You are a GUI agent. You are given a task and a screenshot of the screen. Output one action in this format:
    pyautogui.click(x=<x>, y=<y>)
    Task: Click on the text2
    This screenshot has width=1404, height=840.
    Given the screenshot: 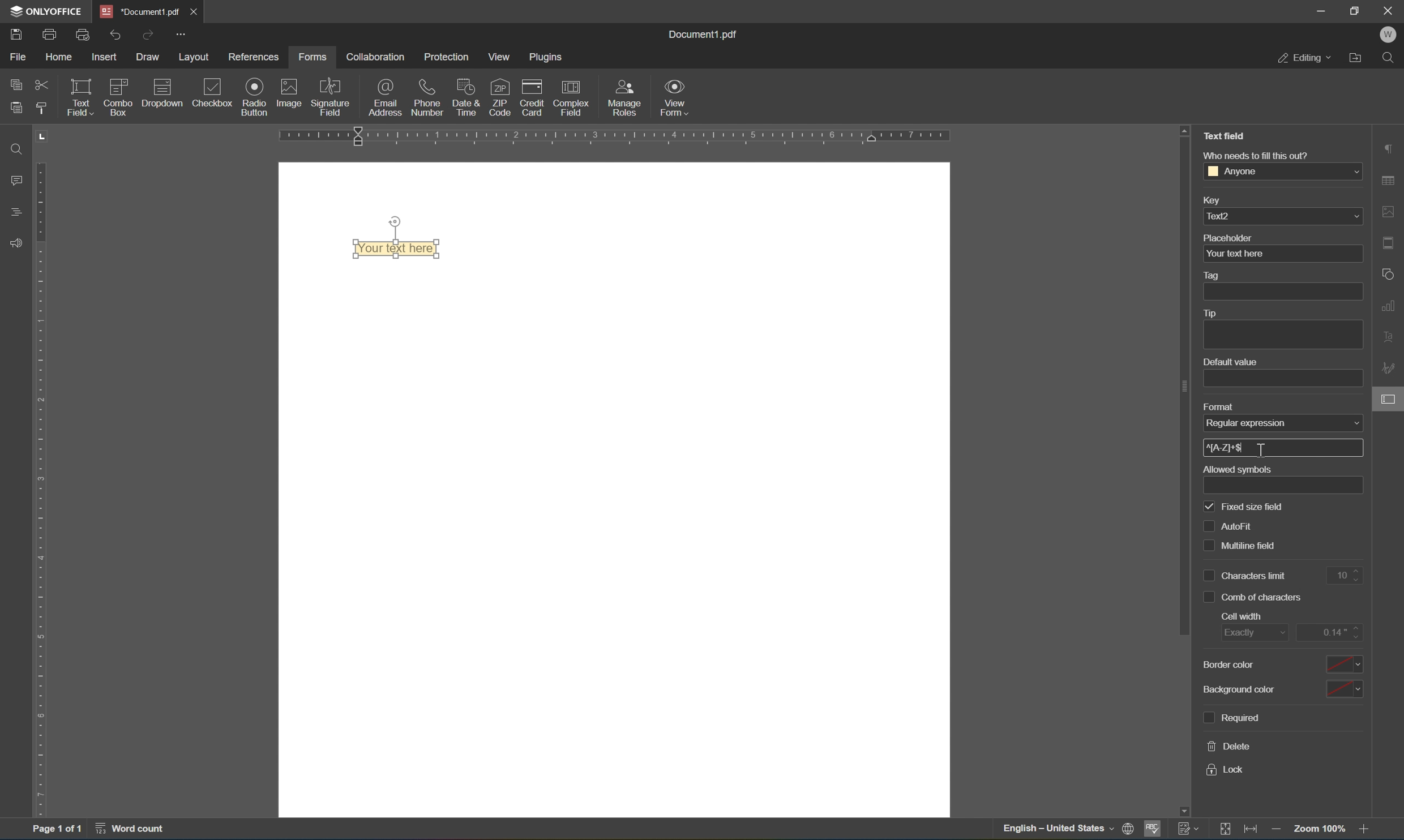 What is the action you would take?
    pyautogui.click(x=1281, y=216)
    